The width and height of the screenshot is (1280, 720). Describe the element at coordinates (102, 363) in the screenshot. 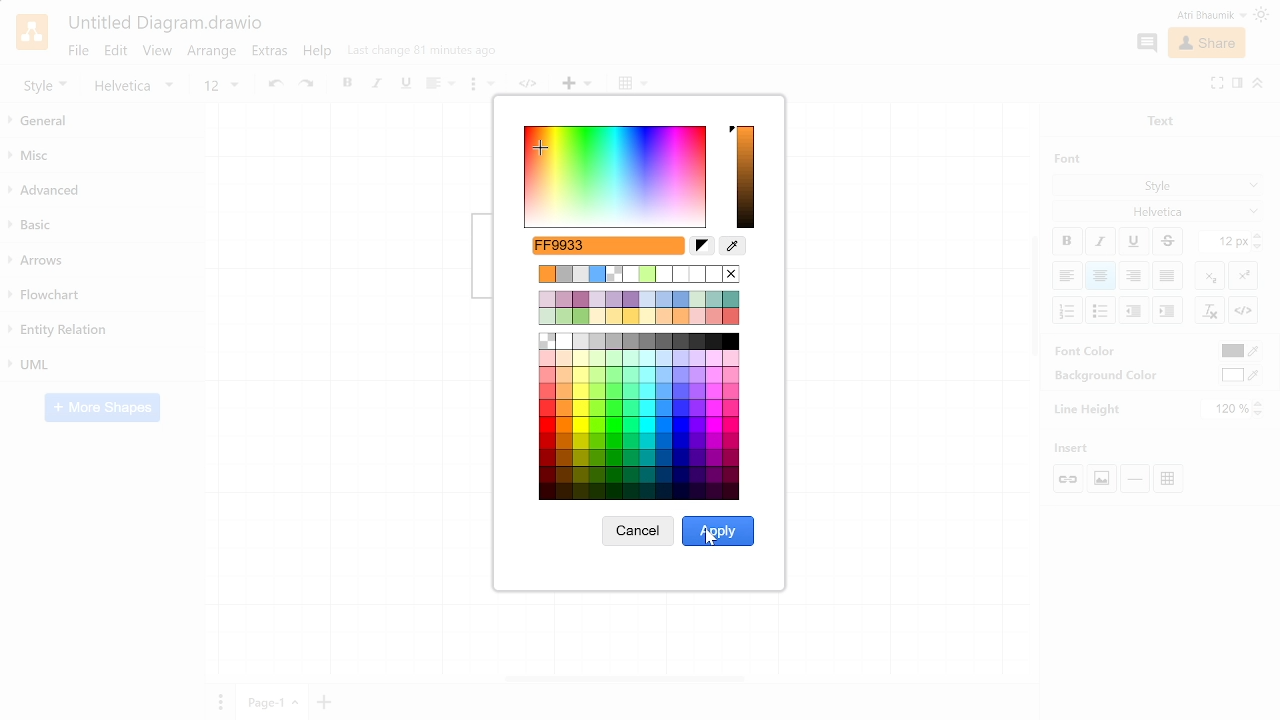

I see `UML` at that location.